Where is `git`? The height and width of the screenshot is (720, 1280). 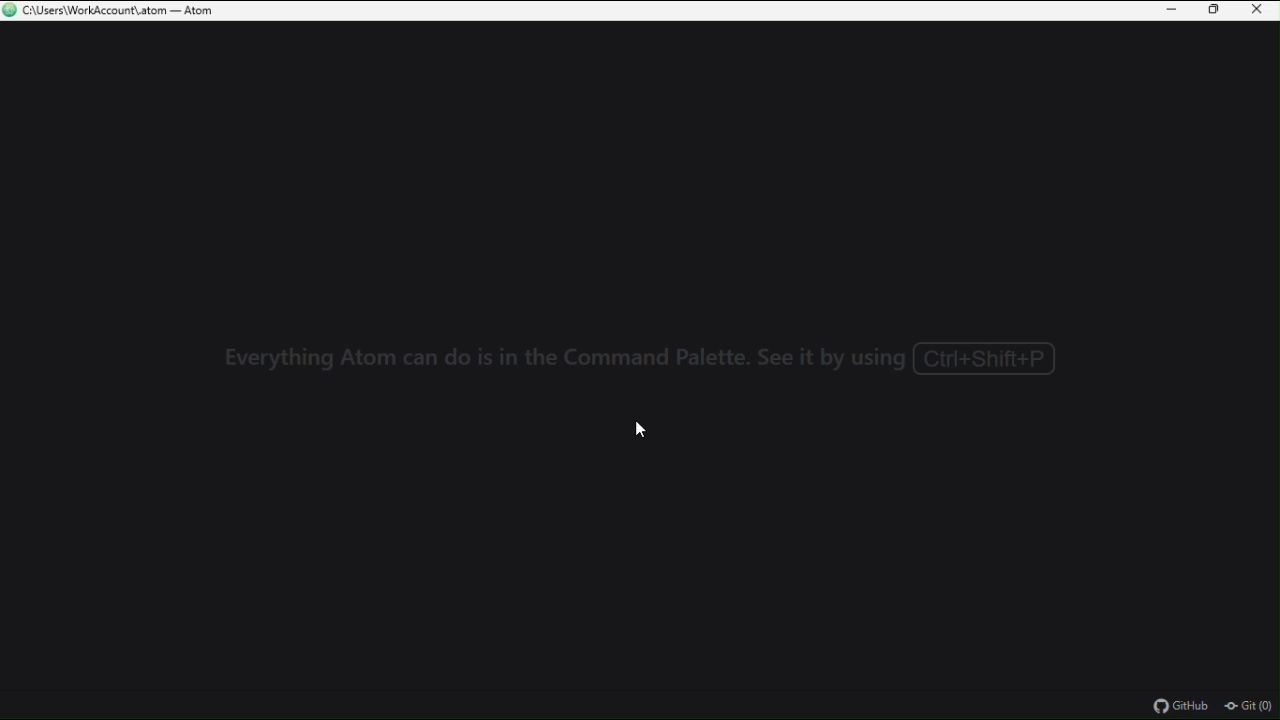
git is located at coordinates (1250, 707).